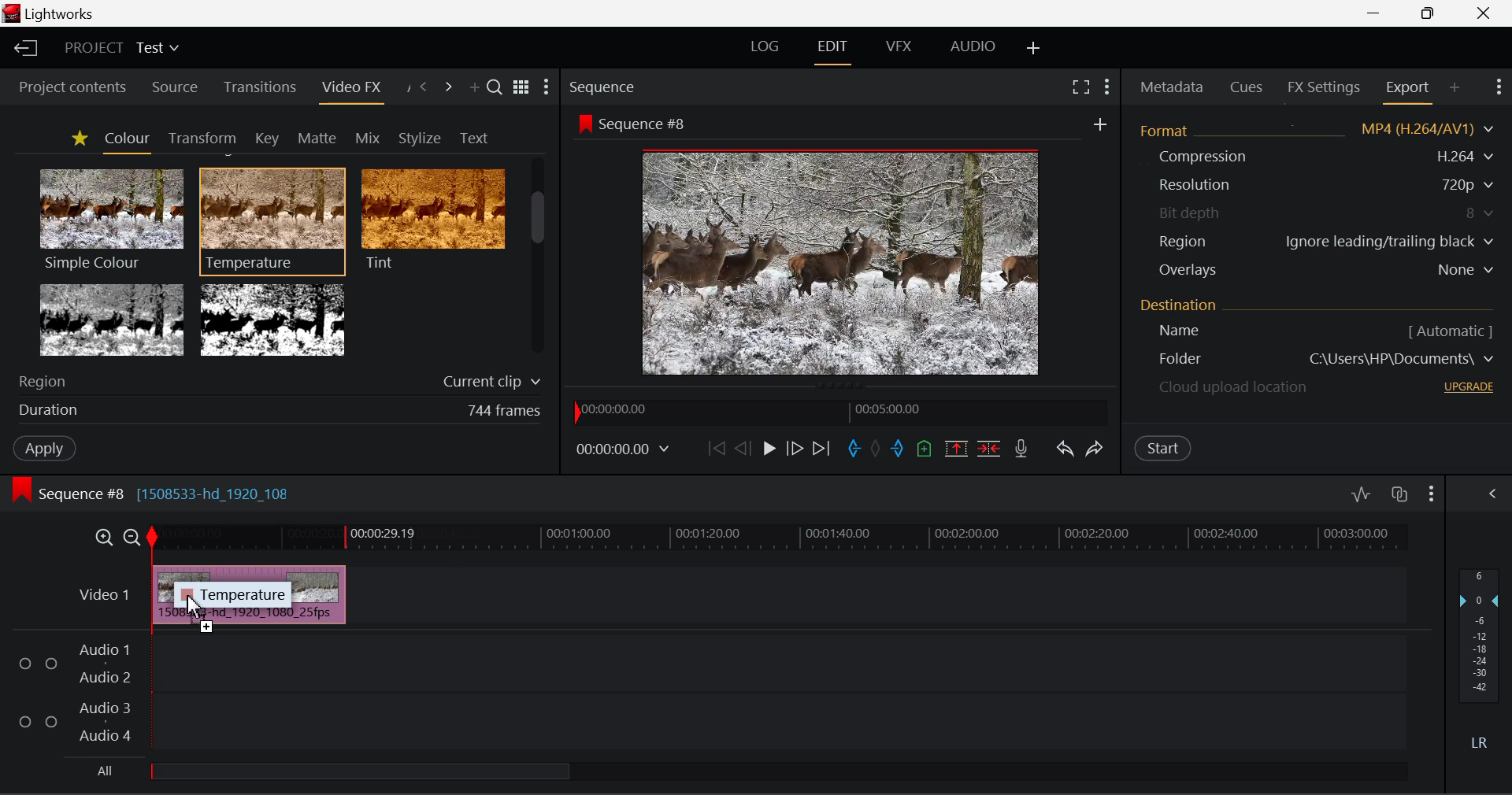  I want to click on Timeline Zoom In, so click(106, 536).